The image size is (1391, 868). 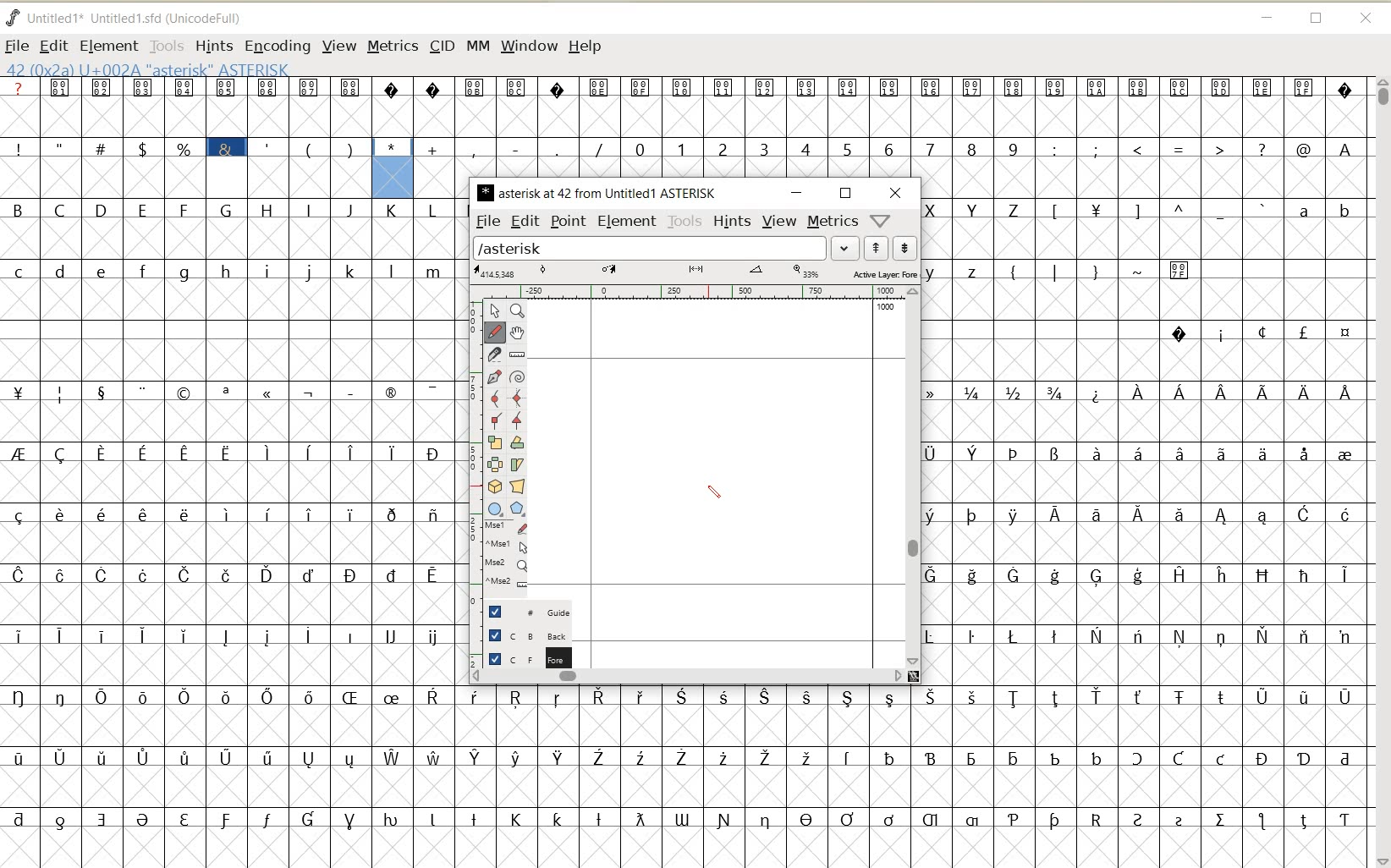 What do you see at coordinates (495, 311) in the screenshot?
I see `pointer` at bounding box center [495, 311].